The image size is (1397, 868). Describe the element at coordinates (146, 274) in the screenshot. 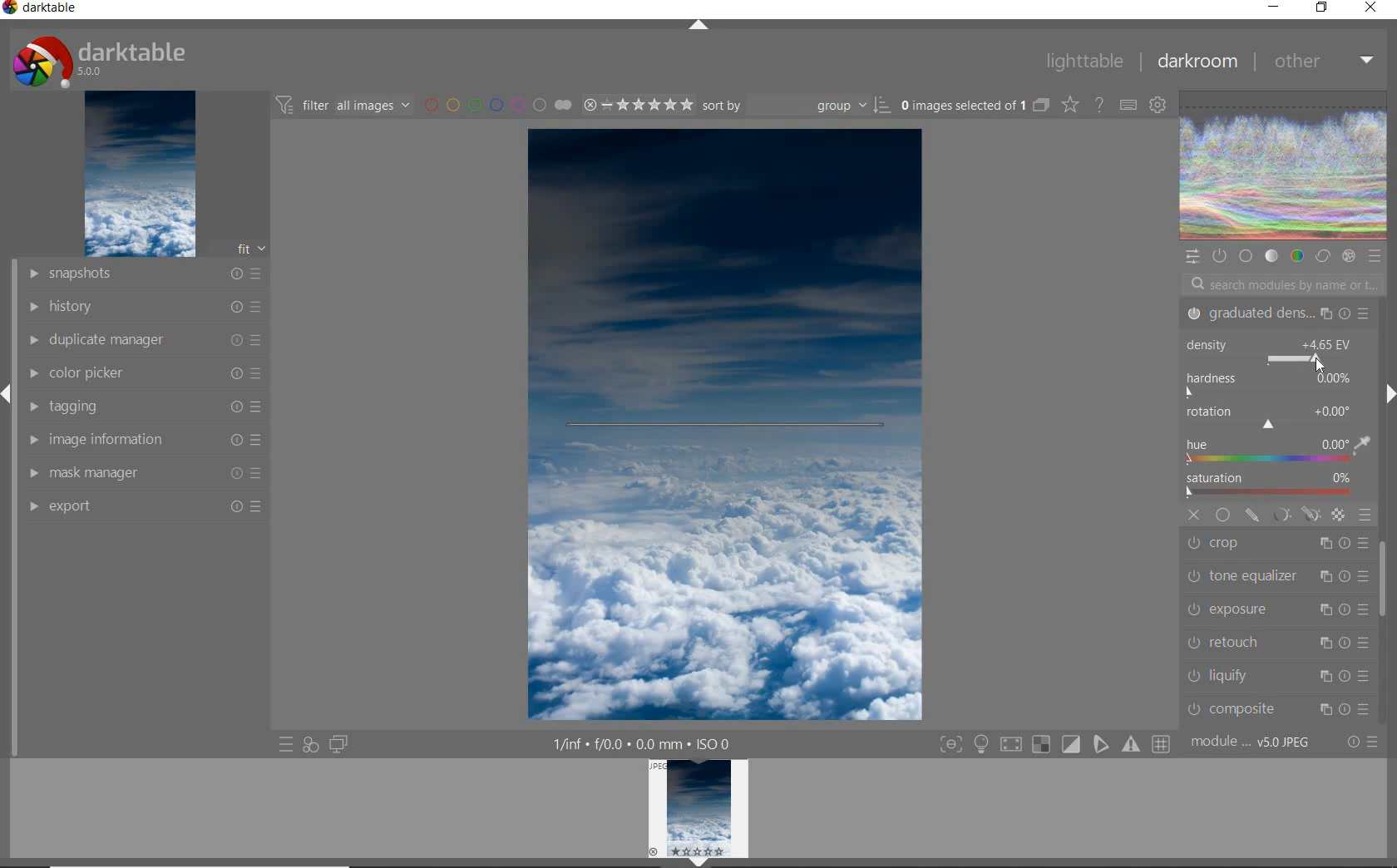

I see `SNAPSHOTS` at that location.